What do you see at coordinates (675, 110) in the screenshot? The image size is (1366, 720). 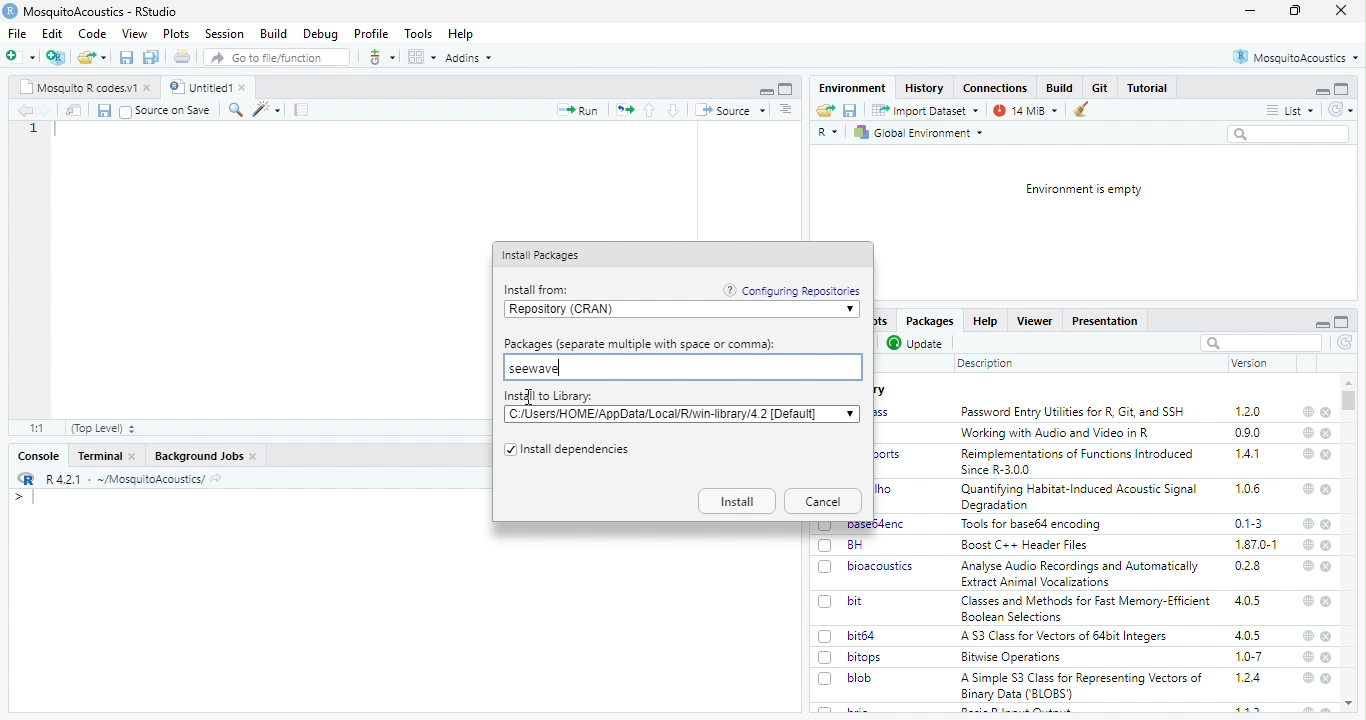 I see `down` at bounding box center [675, 110].